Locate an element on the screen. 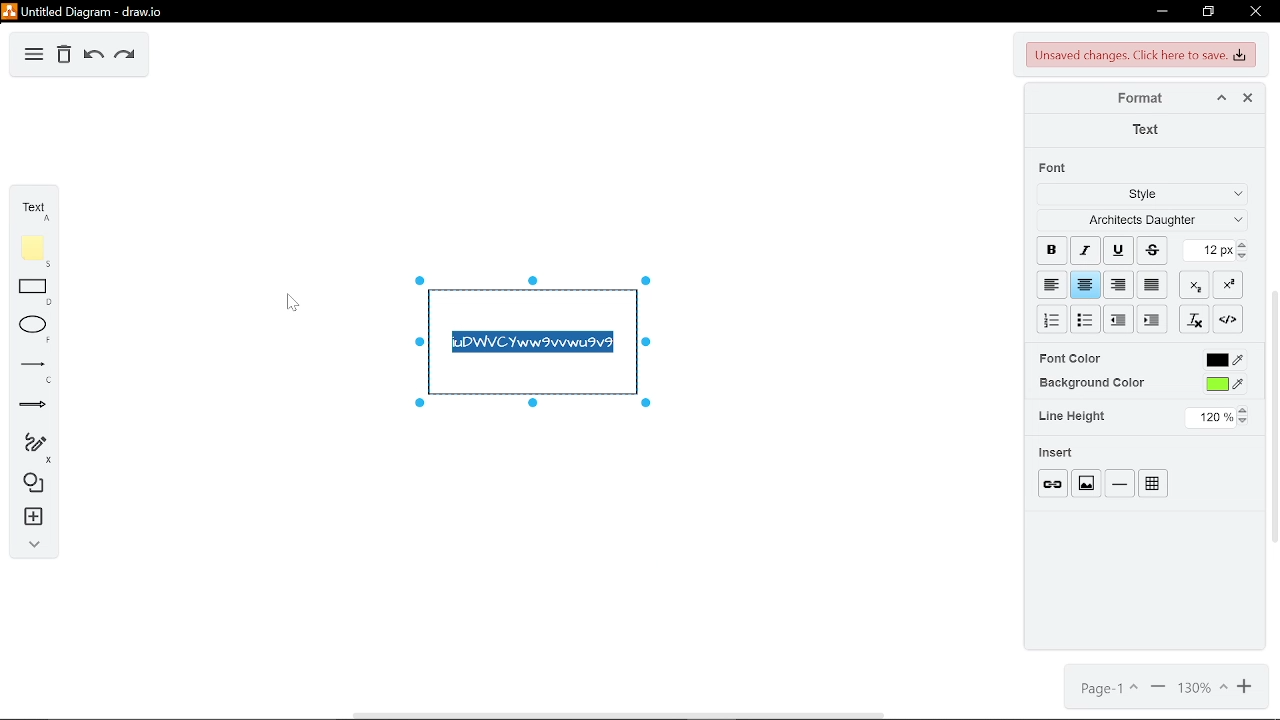 Image resolution: width=1280 pixels, height=720 pixels. Unsaved changes. Click here to save changes is located at coordinates (1138, 55).